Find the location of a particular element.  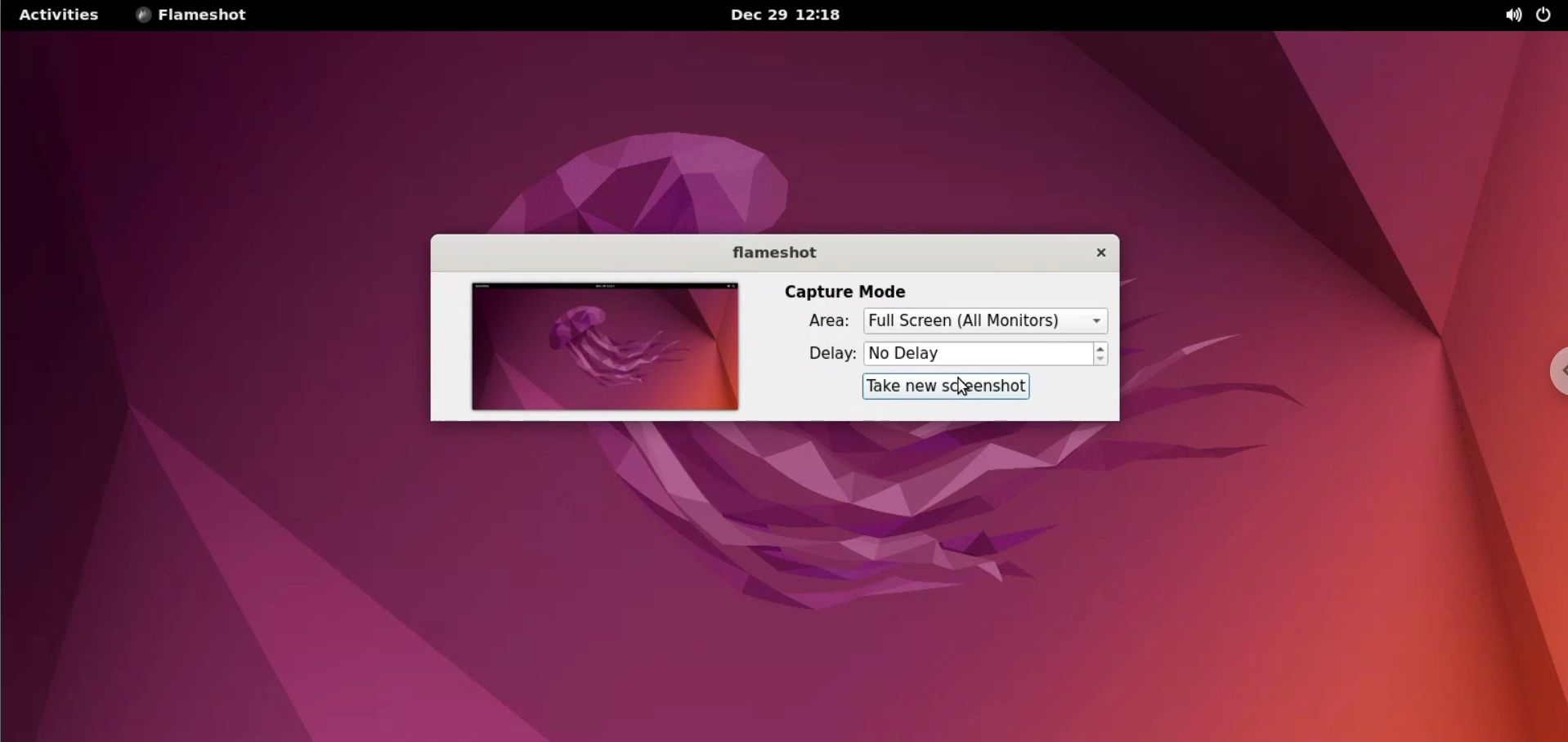

take new screenshot is located at coordinates (948, 387).